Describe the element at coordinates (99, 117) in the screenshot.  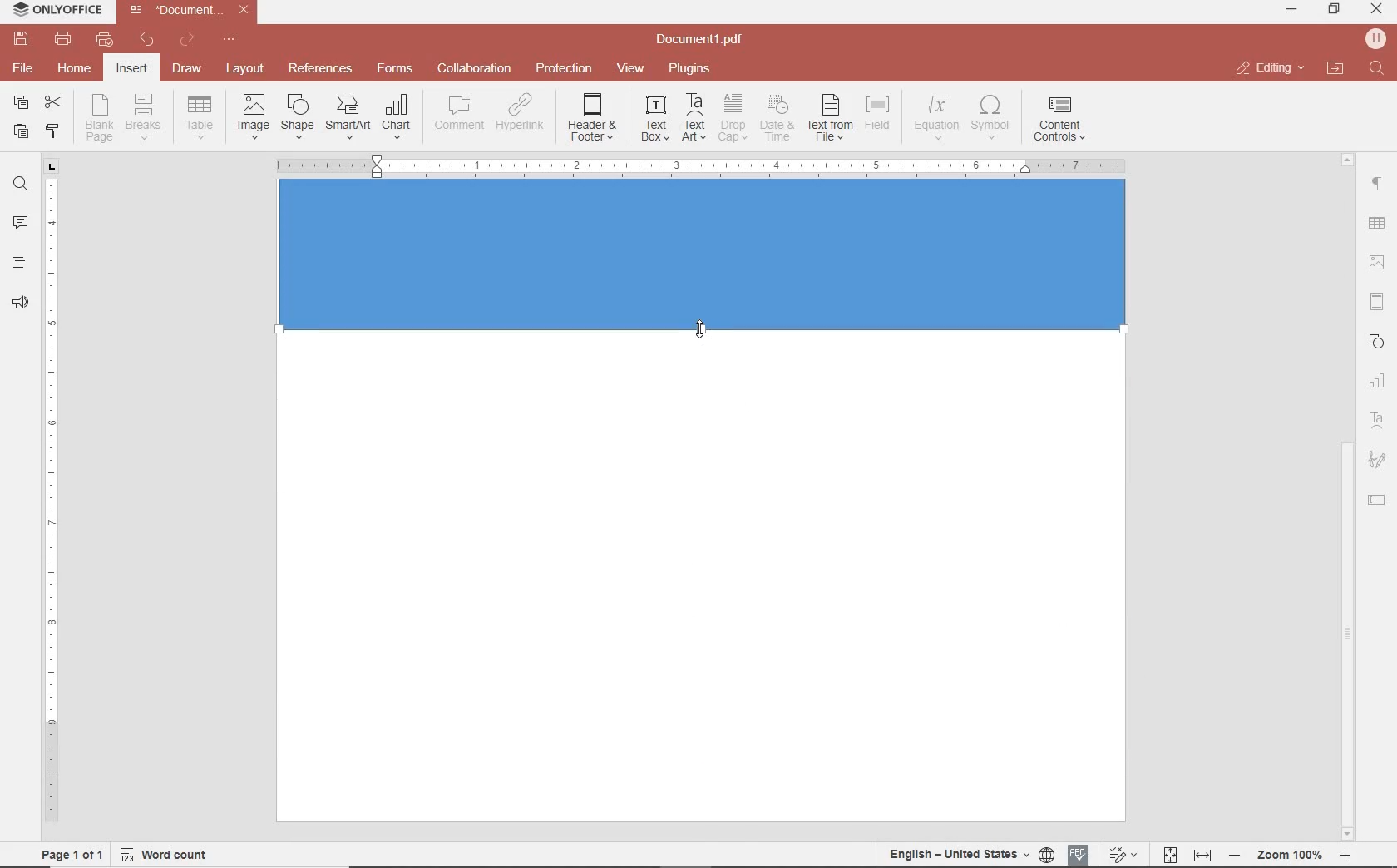
I see `INSERT BLANK PAGE` at that location.